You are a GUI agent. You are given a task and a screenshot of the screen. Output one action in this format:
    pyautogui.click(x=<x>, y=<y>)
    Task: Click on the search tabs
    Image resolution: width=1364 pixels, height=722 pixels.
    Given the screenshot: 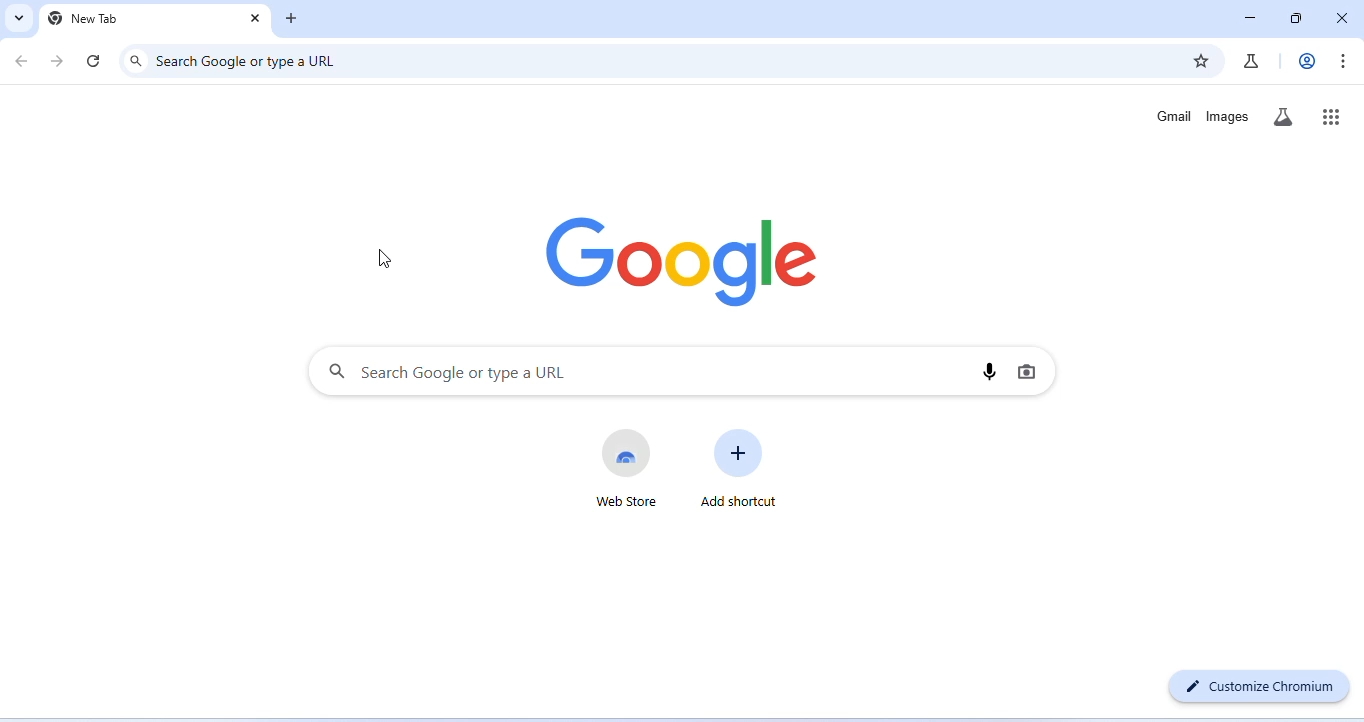 What is the action you would take?
    pyautogui.click(x=20, y=18)
    